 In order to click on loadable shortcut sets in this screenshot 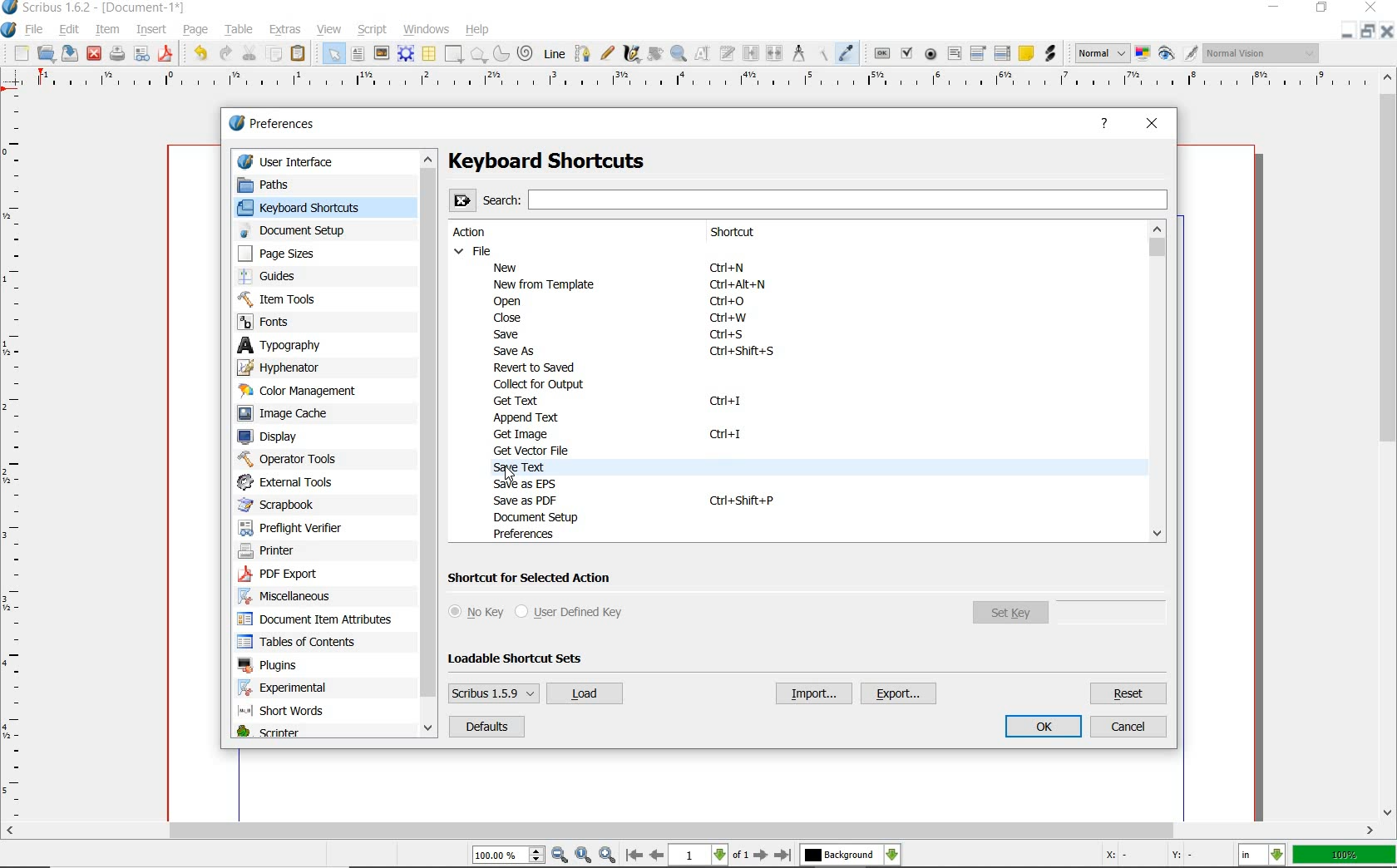, I will do `click(529, 658)`.